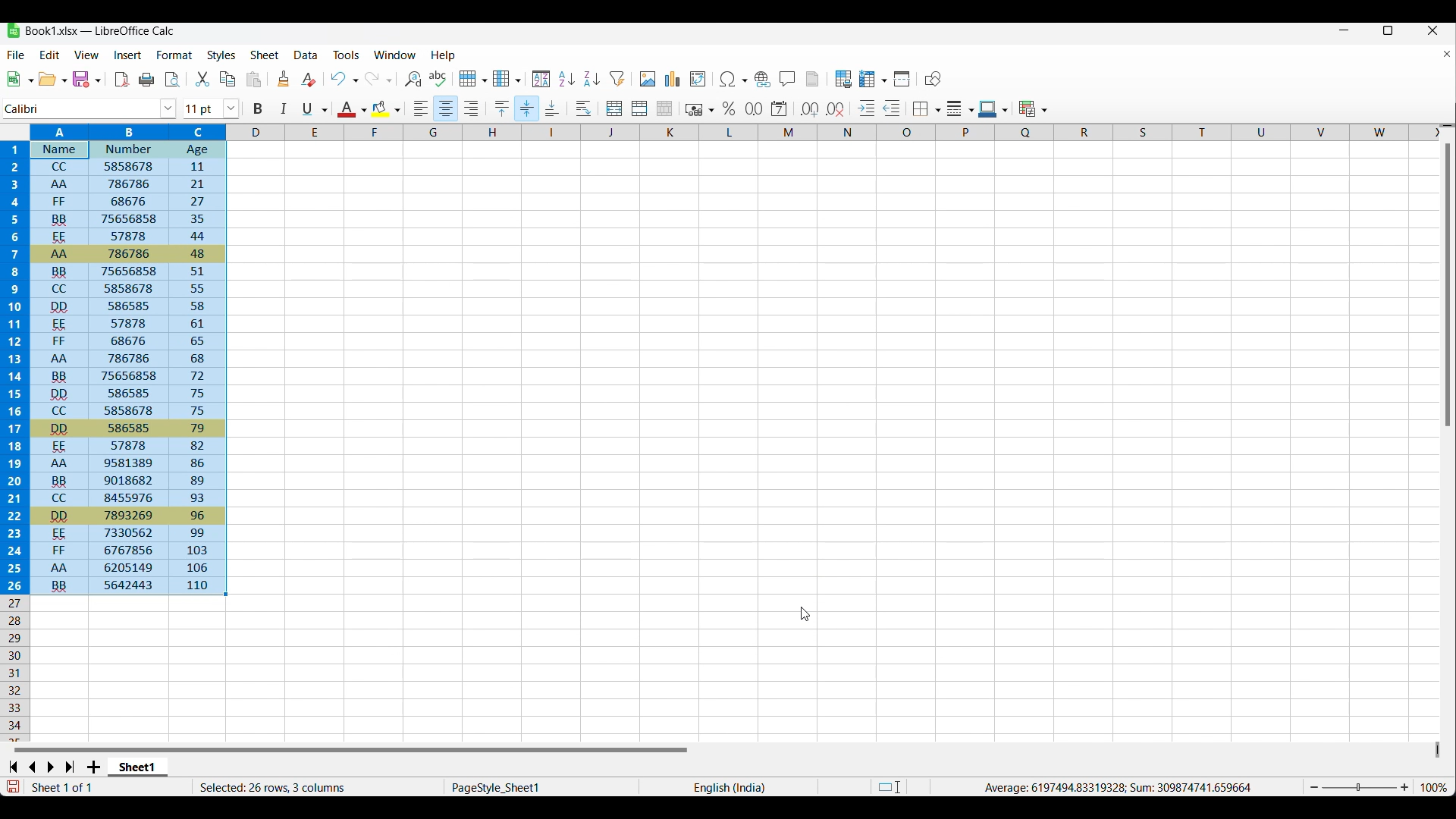 This screenshot has width=1456, height=819. What do you see at coordinates (527, 108) in the screenshot?
I see `Align center` at bounding box center [527, 108].